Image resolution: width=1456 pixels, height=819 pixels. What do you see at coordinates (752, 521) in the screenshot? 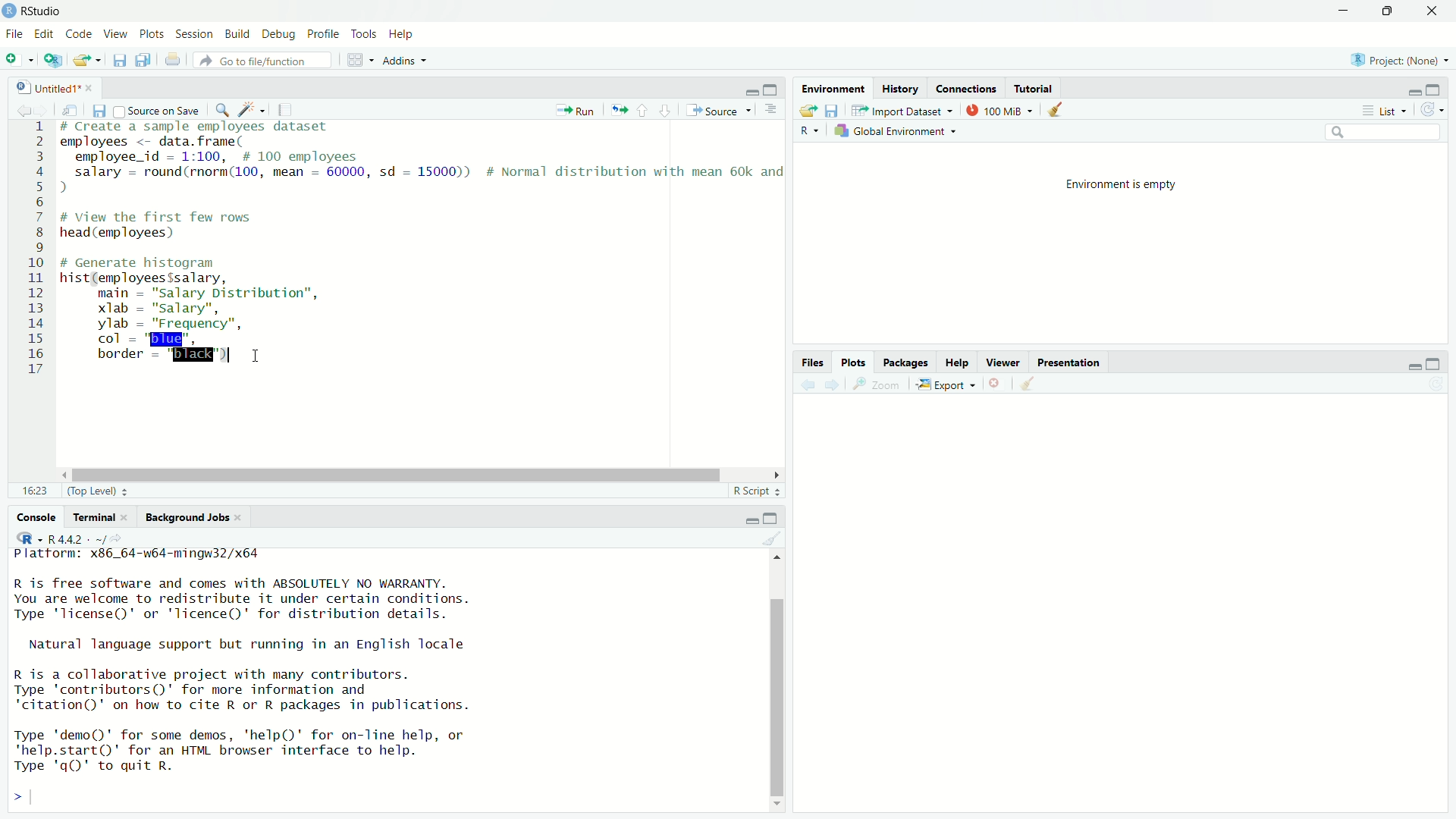
I see `minimise` at bounding box center [752, 521].